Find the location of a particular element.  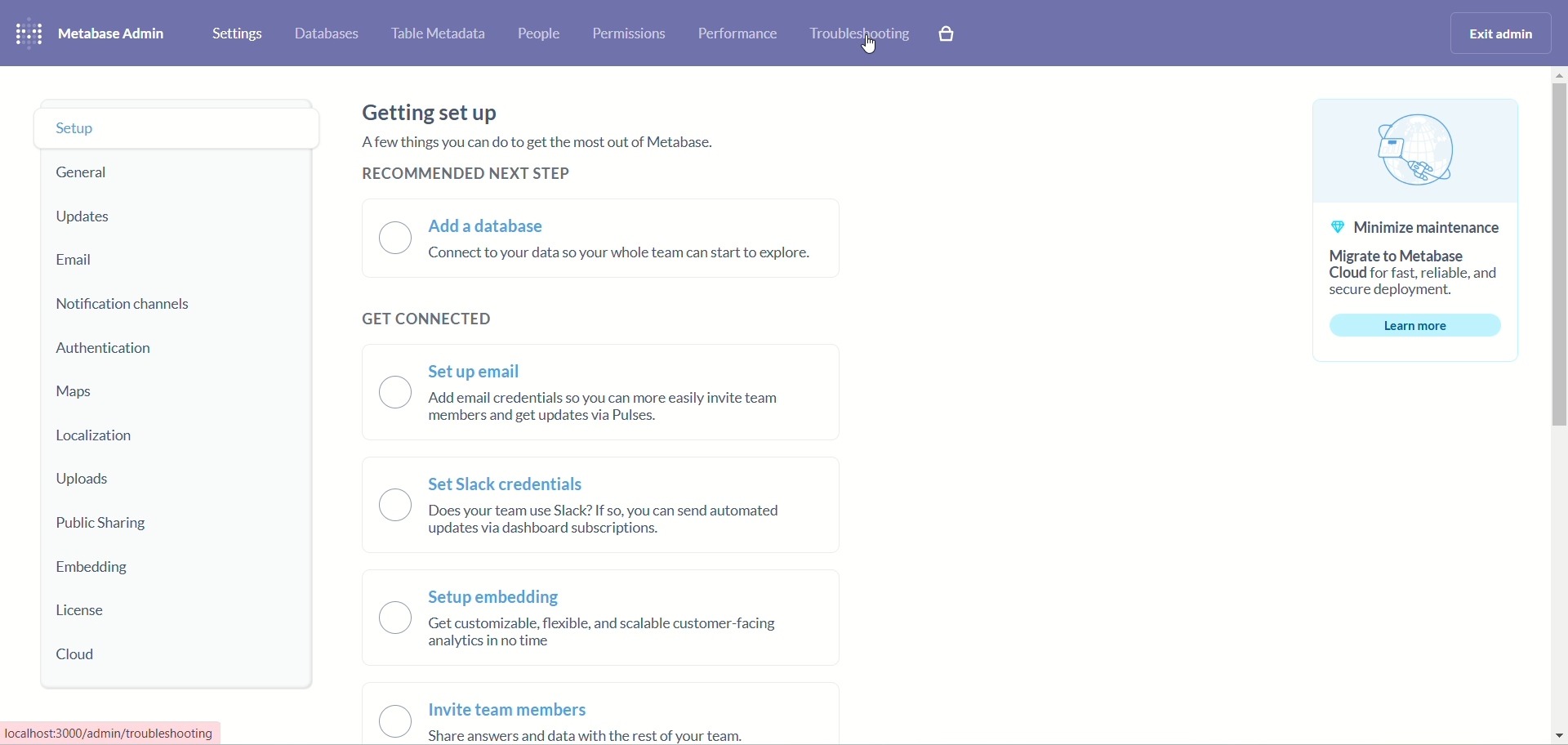

getting set up is located at coordinates (437, 113).